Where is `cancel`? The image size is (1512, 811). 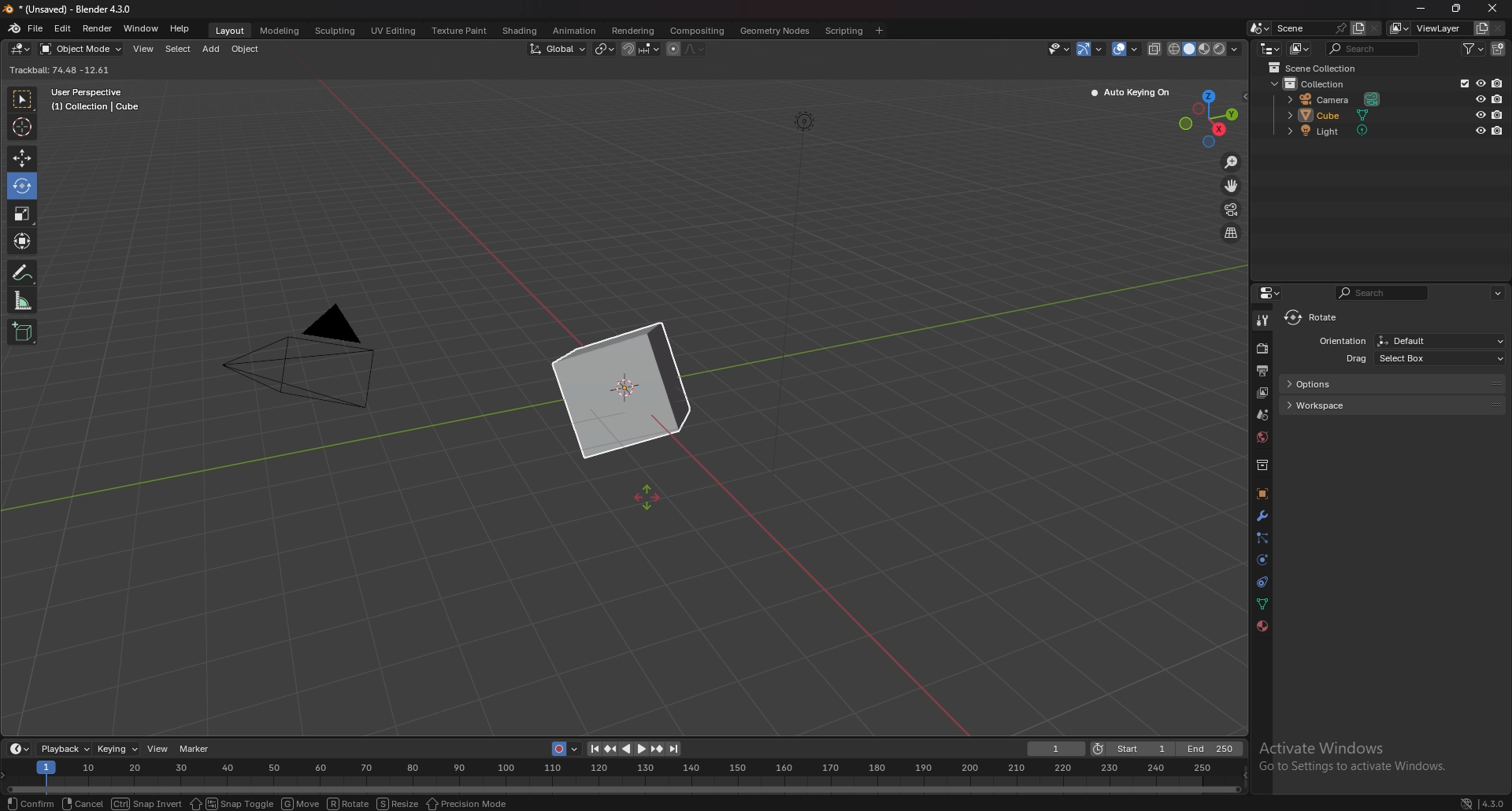
cancel is located at coordinates (81, 804).